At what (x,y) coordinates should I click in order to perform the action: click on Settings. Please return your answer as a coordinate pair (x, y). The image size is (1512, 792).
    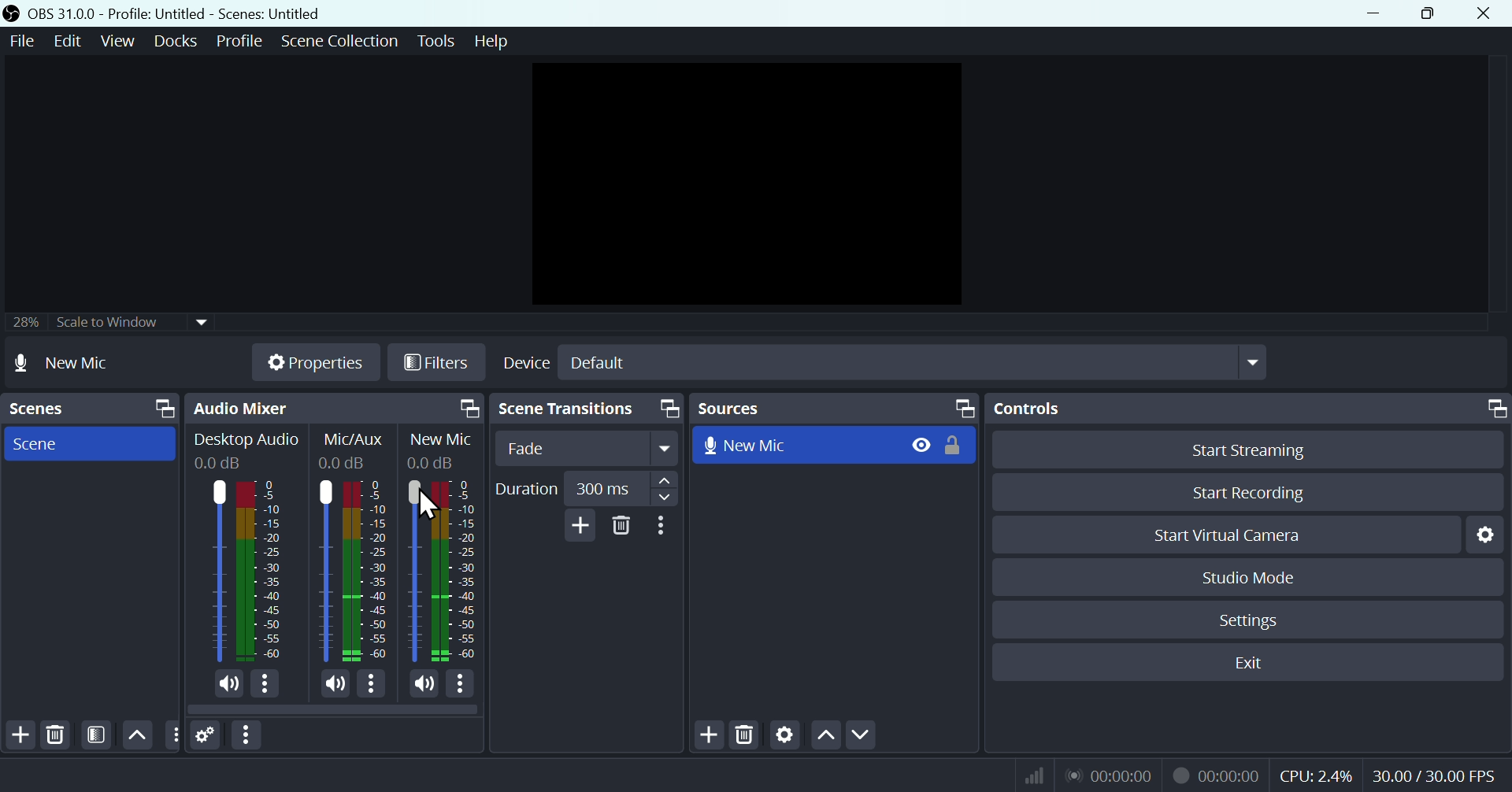
    Looking at the image, I should click on (206, 736).